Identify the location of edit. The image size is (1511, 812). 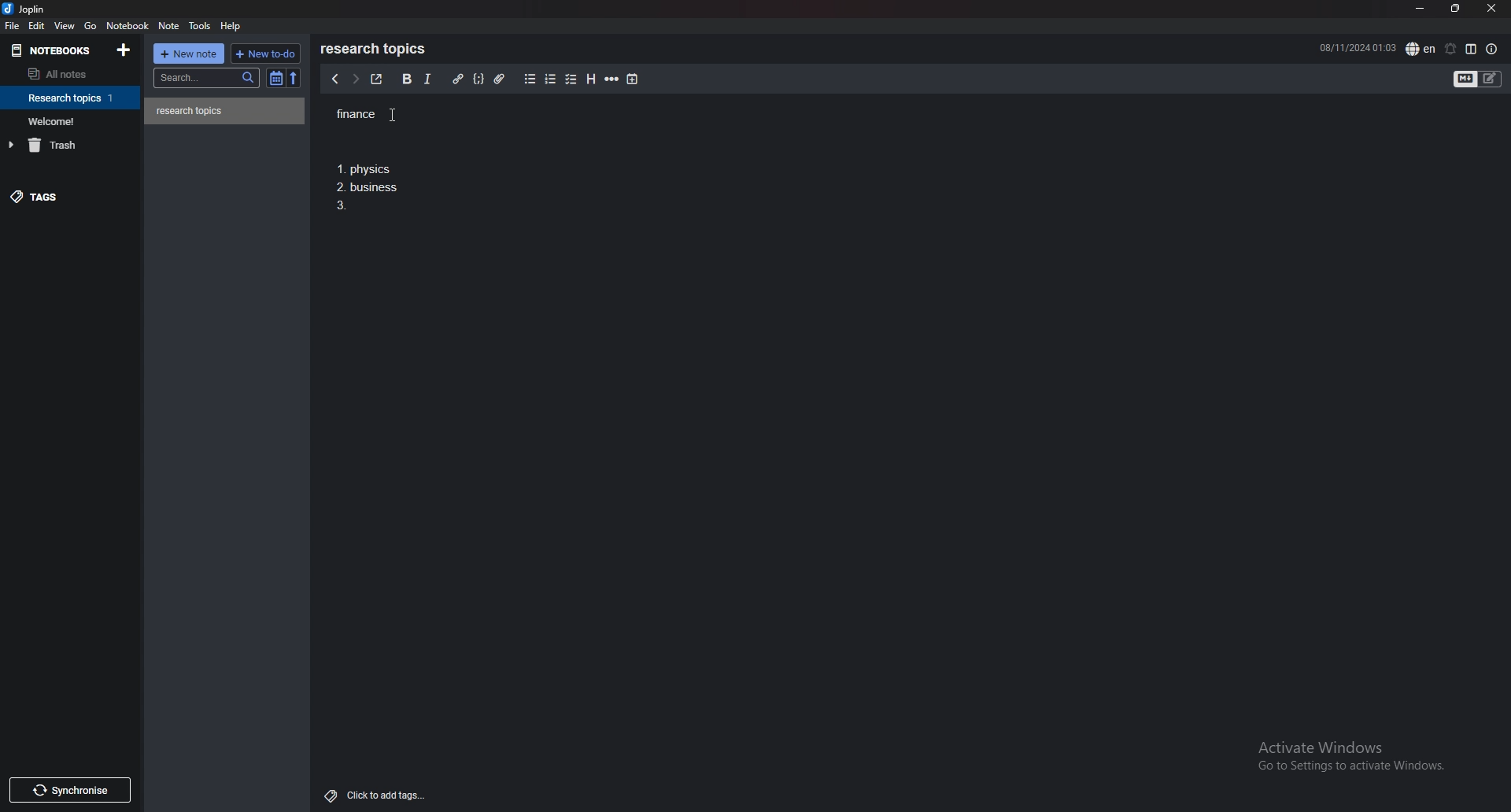
(36, 25).